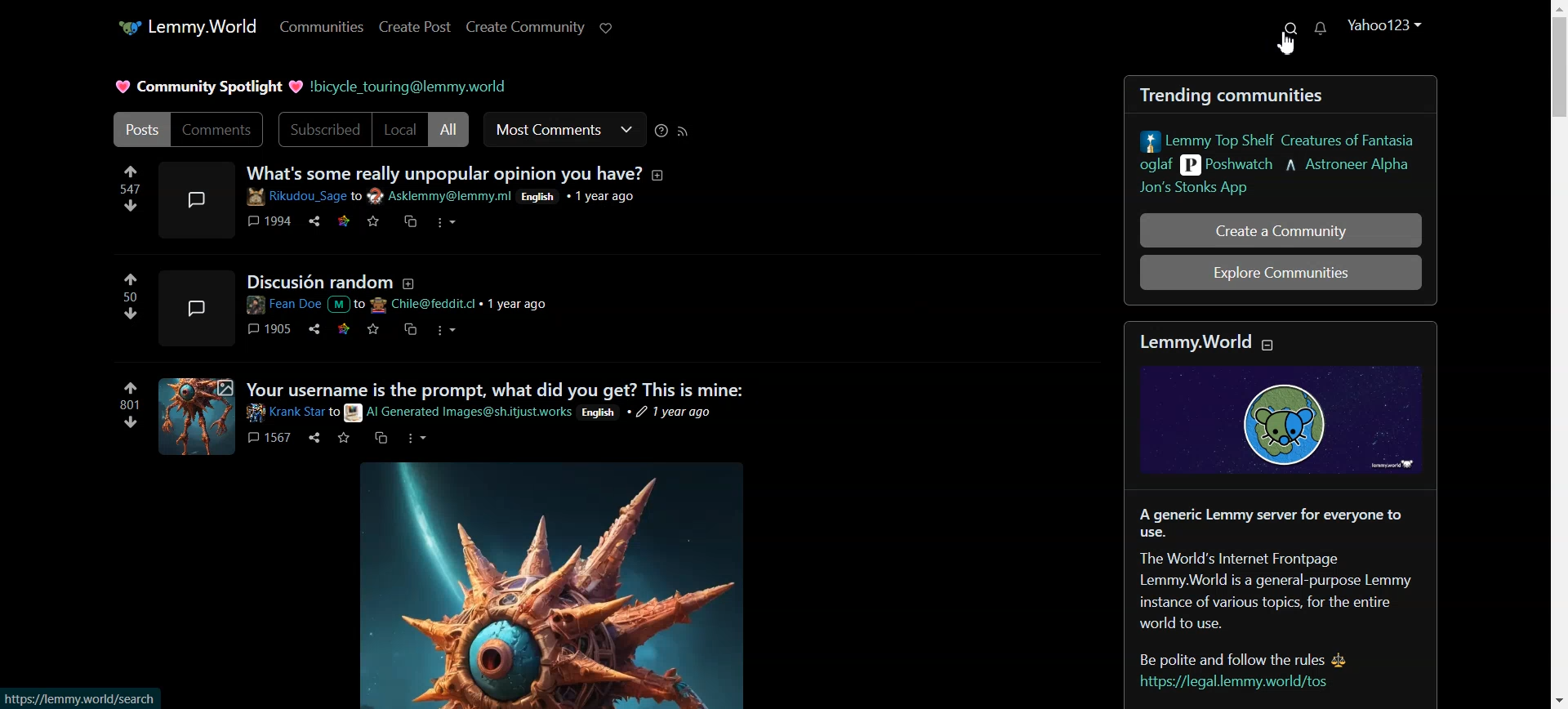 This screenshot has height=709, width=1568. I want to click on Create Community, so click(523, 27).